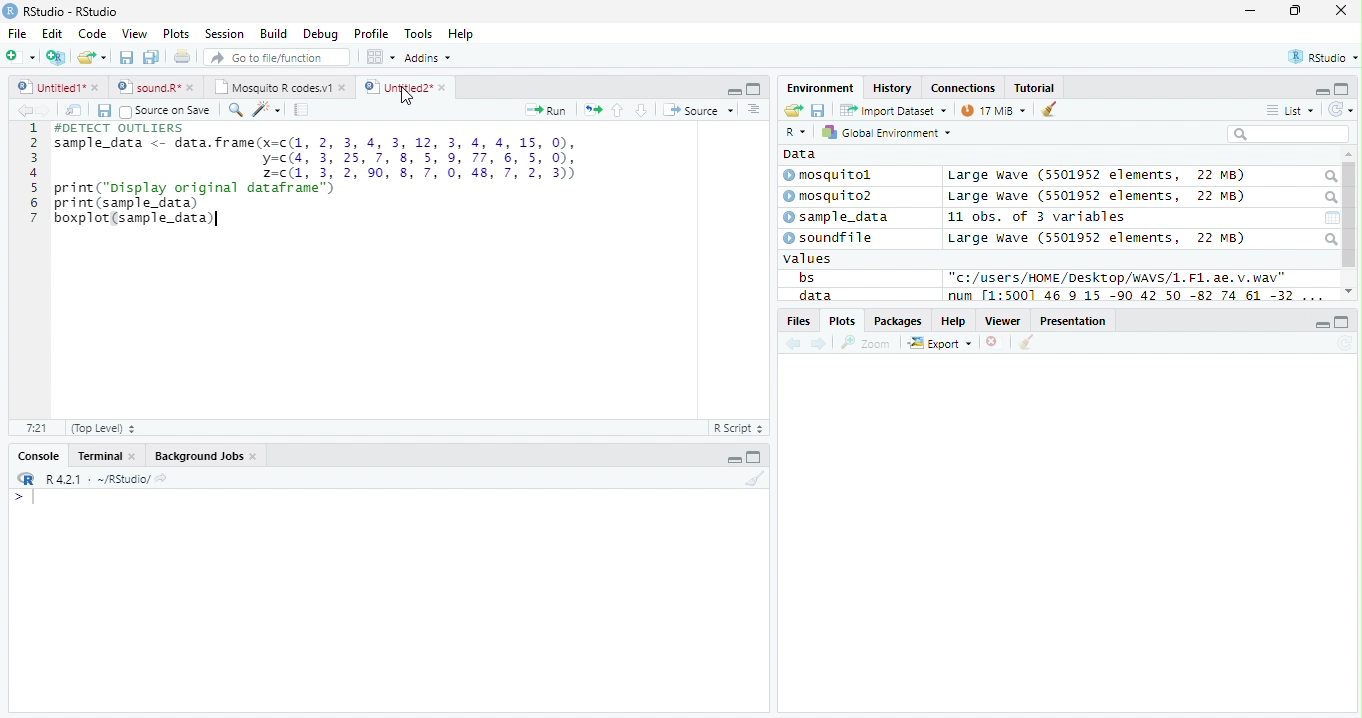 Image resolution: width=1362 pixels, height=718 pixels. What do you see at coordinates (382, 57) in the screenshot?
I see `workspace panes` at bounding box center [382, 57].